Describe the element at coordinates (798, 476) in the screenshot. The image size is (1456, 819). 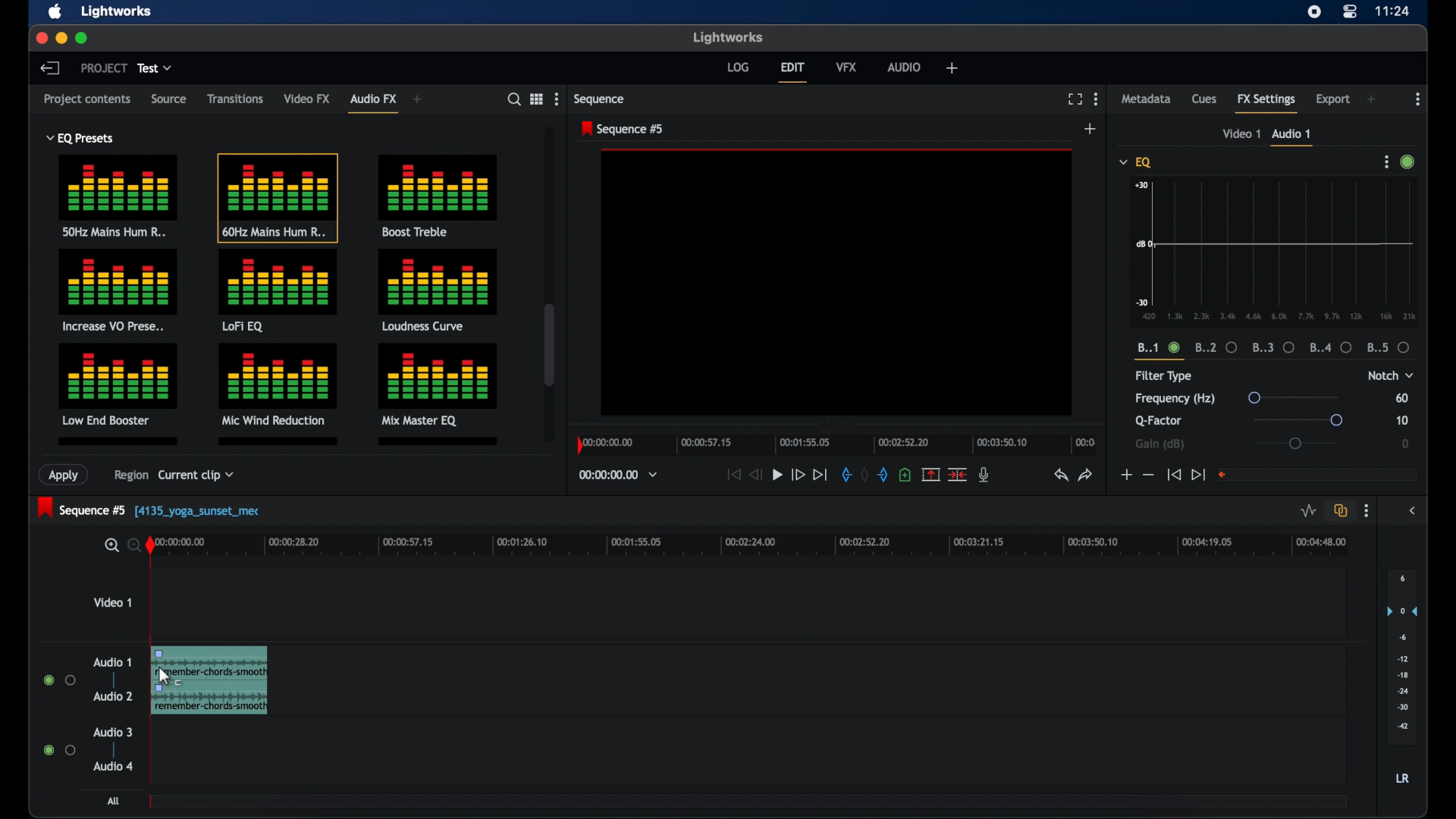
I see `fast forward` at that location.